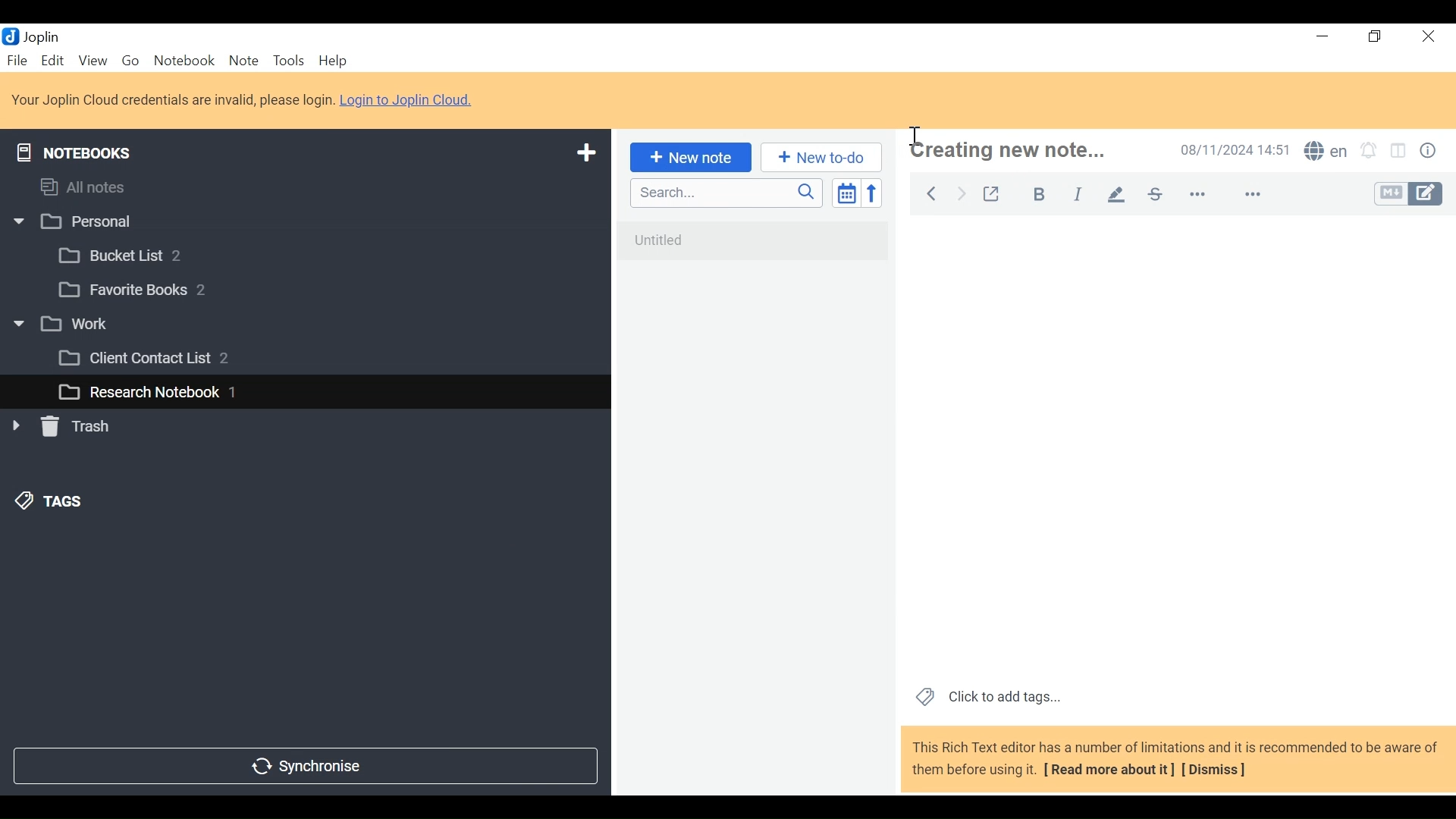 The image size is (1456, 819). I want to click on more options, so click(1207, 195).